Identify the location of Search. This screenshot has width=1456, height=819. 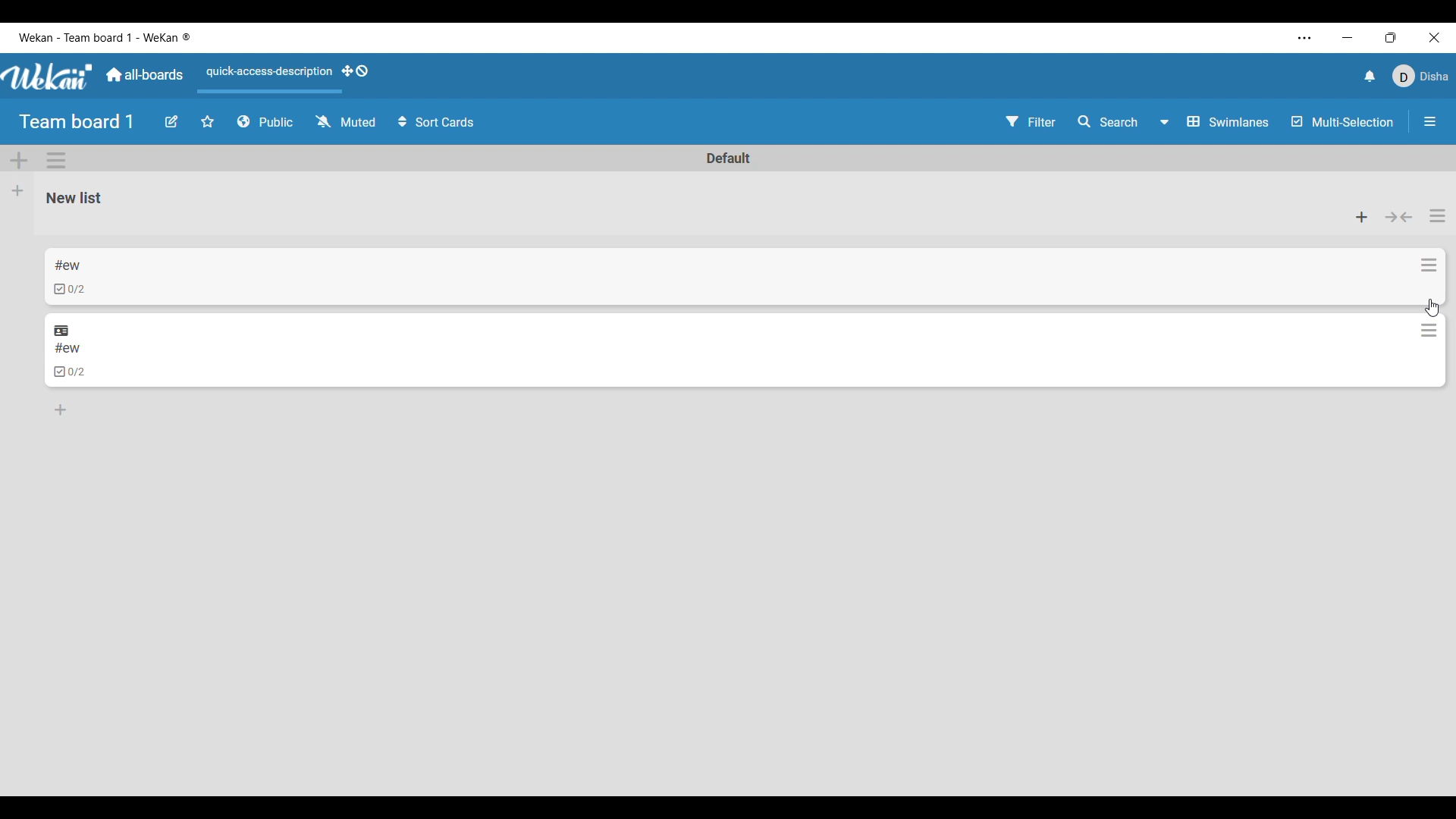
(1108, 122).